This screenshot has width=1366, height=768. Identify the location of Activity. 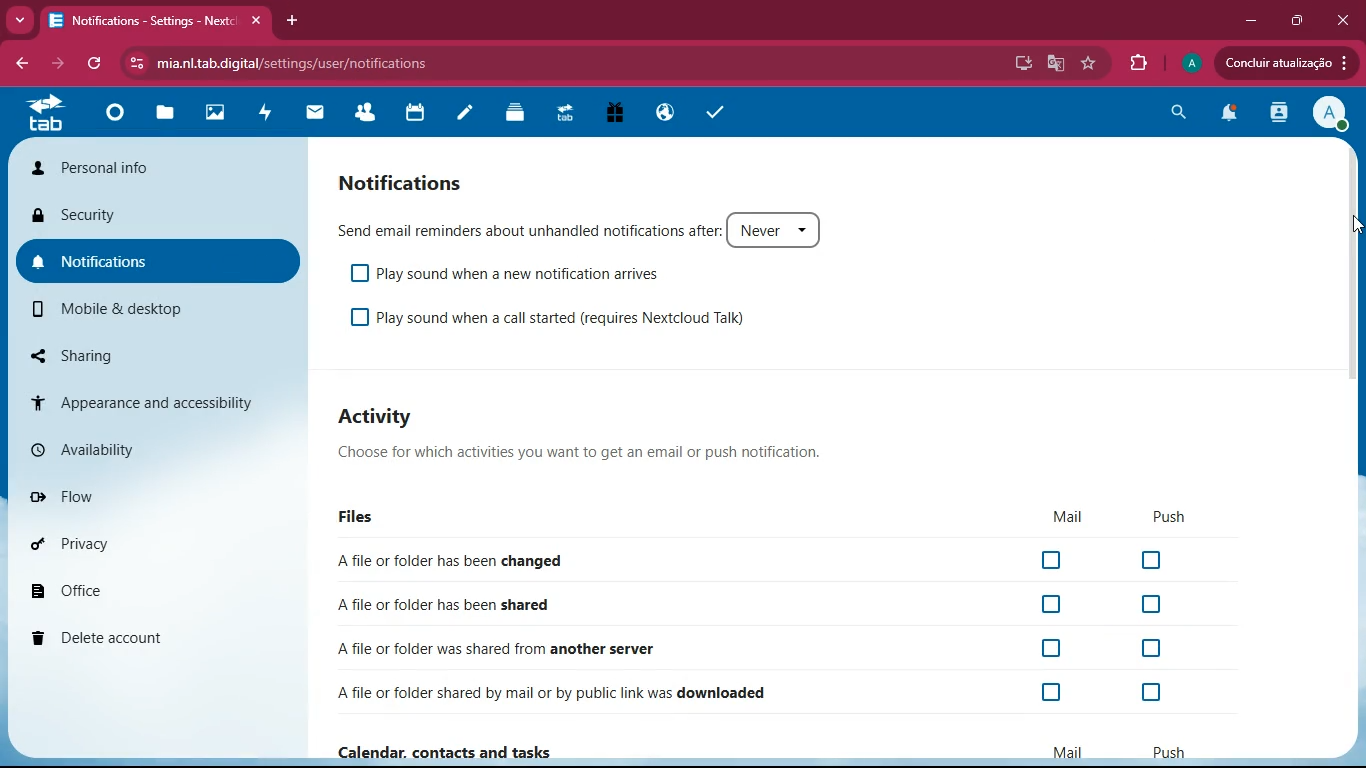
(377, 415).